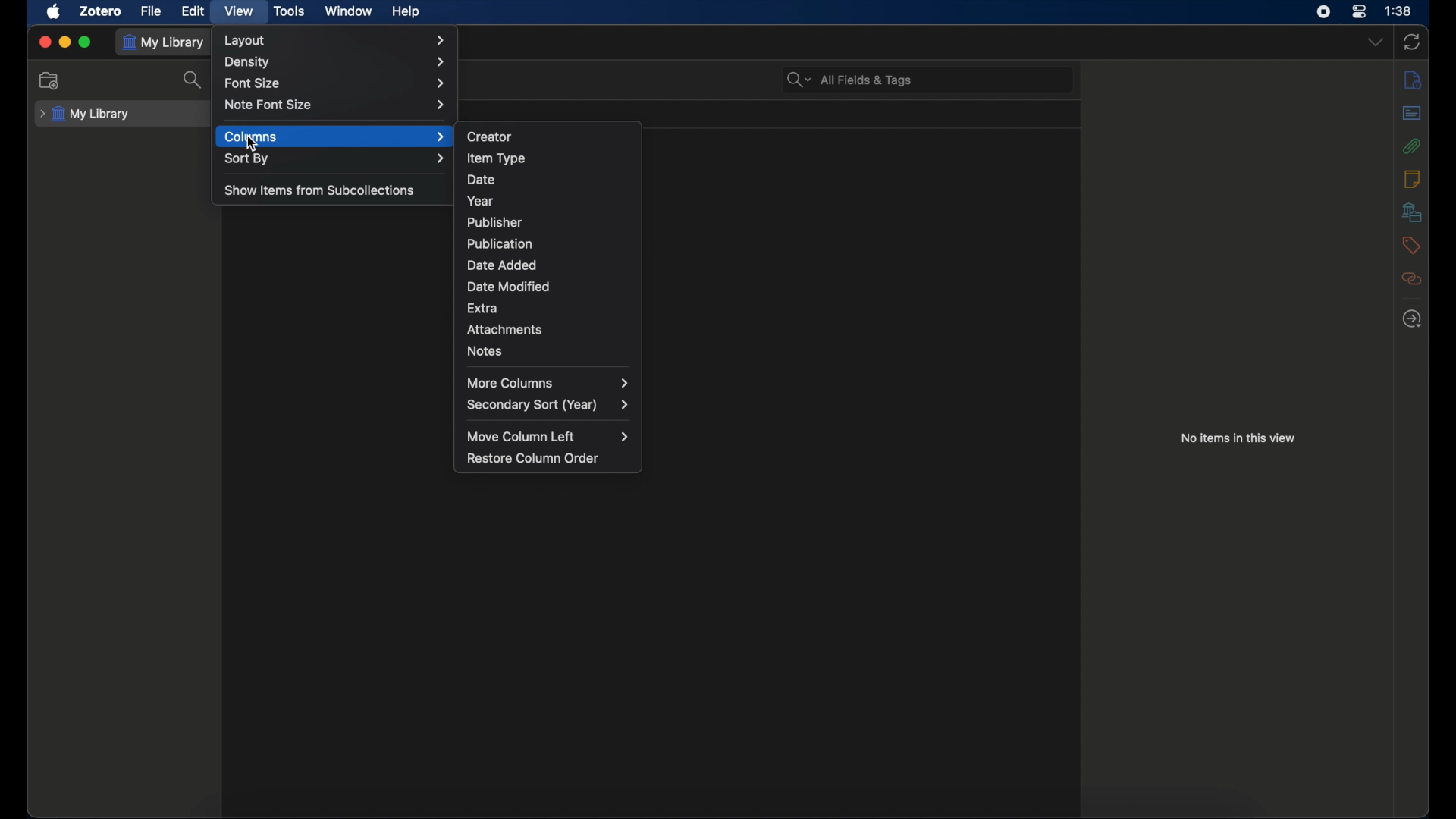  I want to click on extra, so click(482, 307).